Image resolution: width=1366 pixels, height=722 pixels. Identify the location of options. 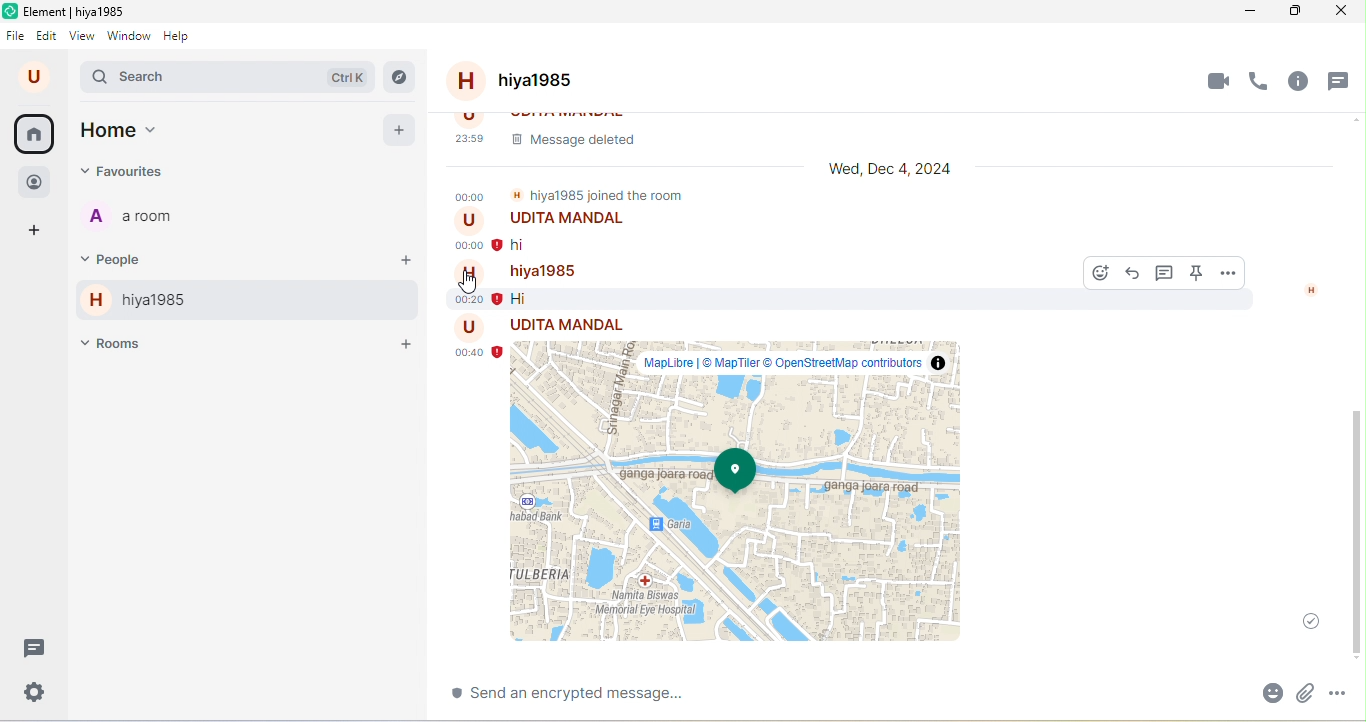
(1229, 273).